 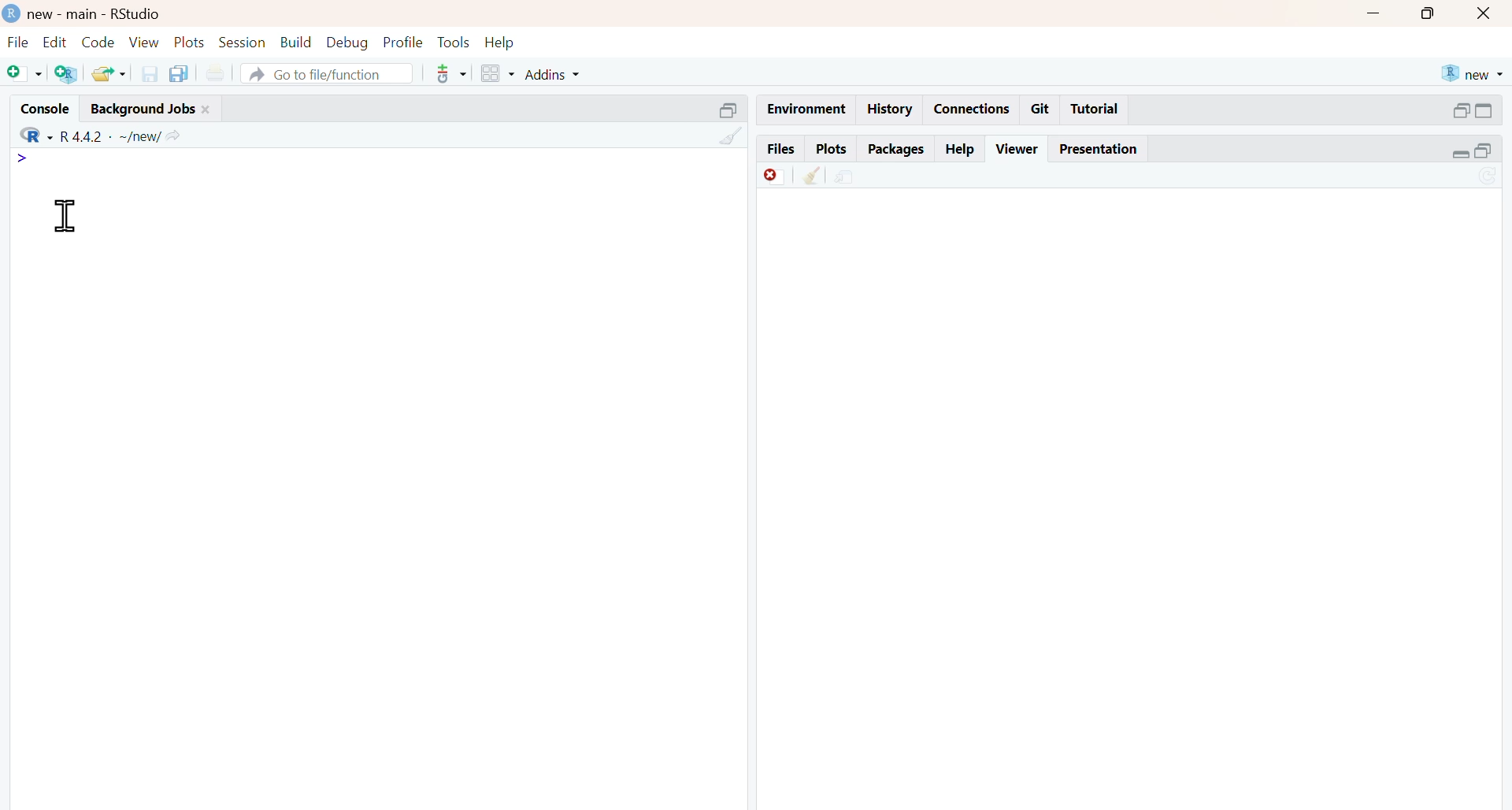 What do you see at coordinates (845, 177) in the screenshot?
I see `share` at bounding box center [845, 177].